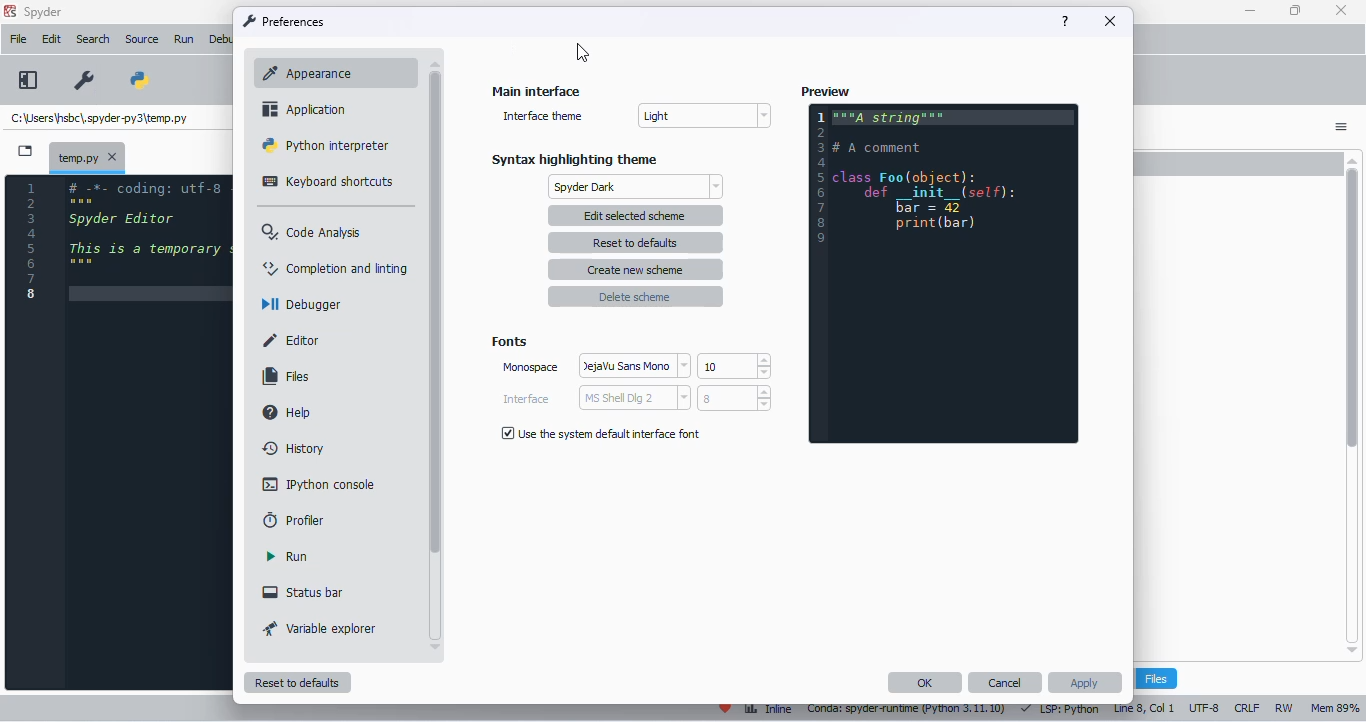 The image size is (1366, 722). I want to click on help, so click(1066, 22).